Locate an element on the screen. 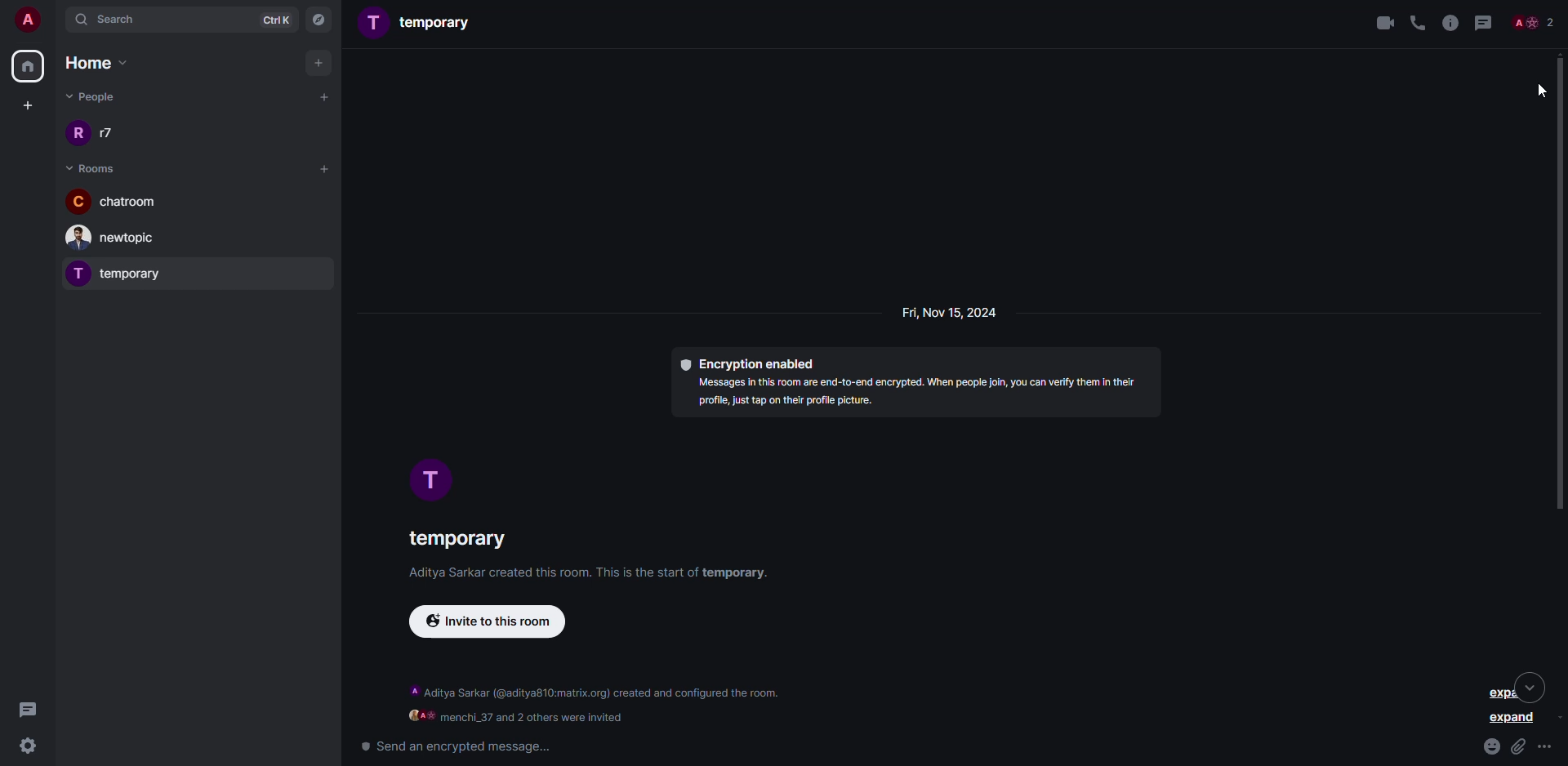 This screenshot has width=1568, height=766. emoji is located at coordinates (1491, 744).